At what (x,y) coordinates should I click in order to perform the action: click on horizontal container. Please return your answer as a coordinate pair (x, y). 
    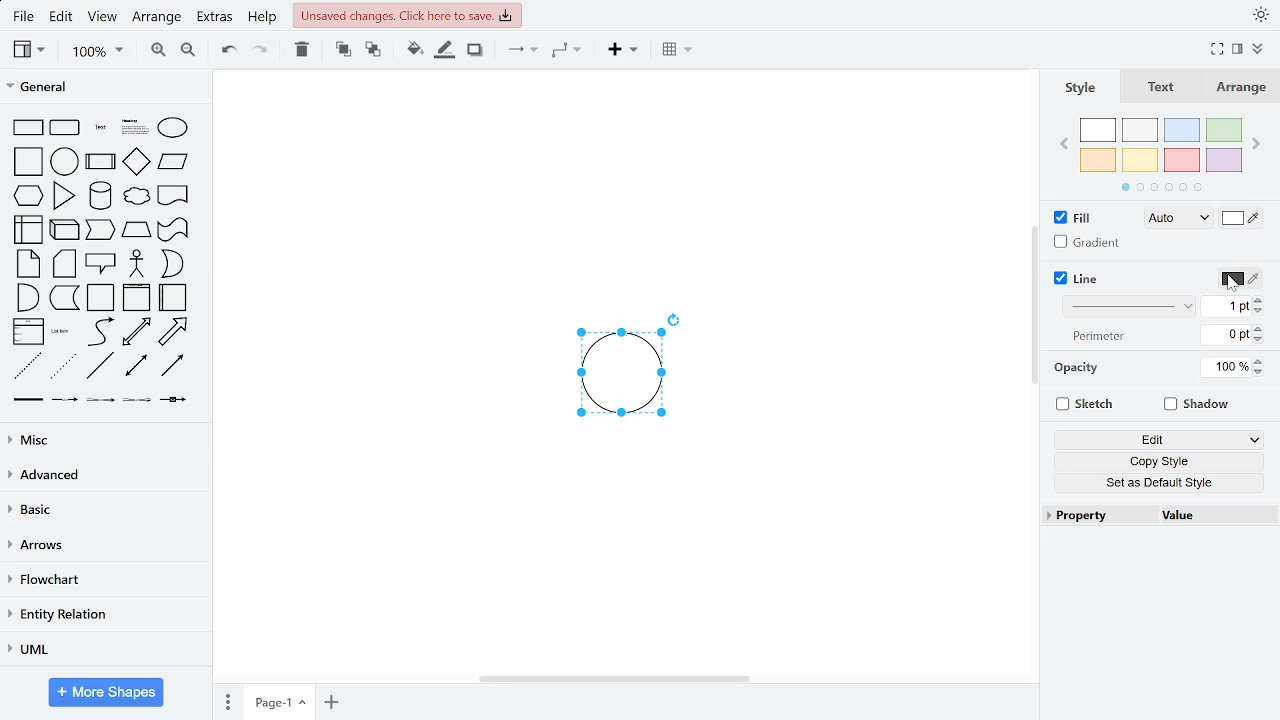
    Looking at the image, I should click on (174, 297).